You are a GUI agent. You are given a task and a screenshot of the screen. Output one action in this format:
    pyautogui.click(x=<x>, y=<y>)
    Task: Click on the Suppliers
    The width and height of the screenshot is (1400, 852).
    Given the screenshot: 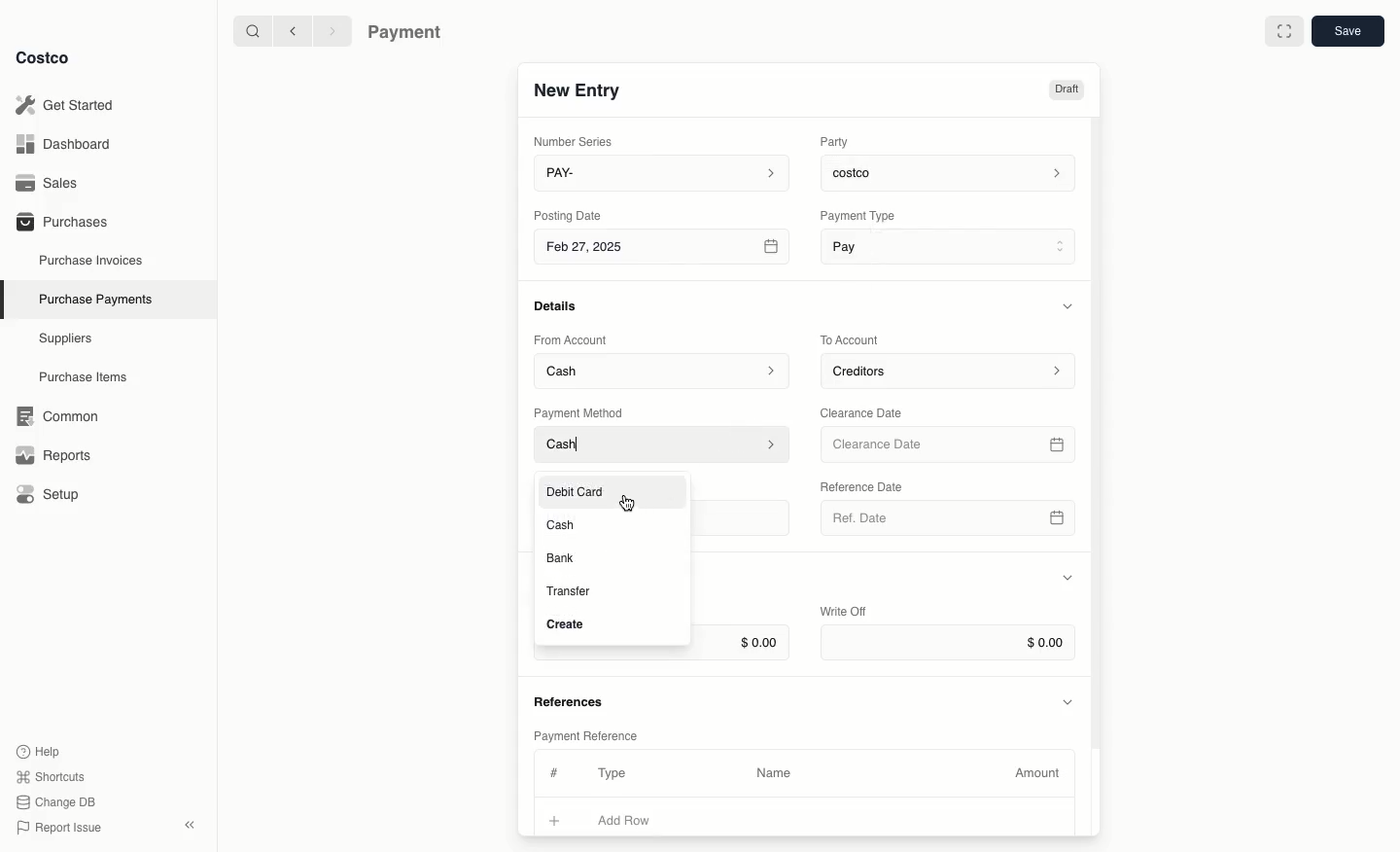 What is the action you would take?
    pyautogui.click(x=66, y=337)
    